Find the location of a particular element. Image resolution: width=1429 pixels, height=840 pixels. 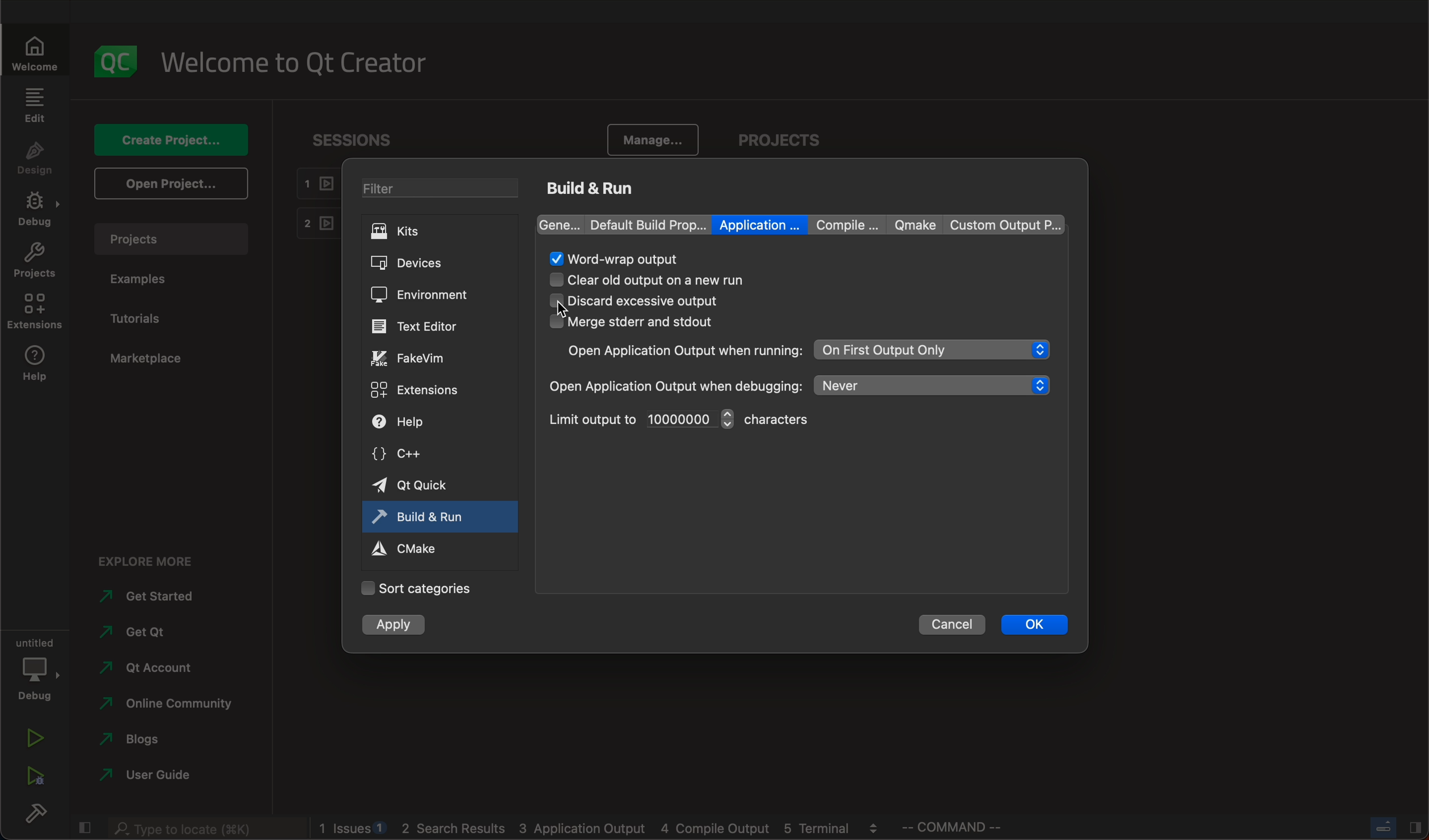

debug is located at coordinates (33, 670).